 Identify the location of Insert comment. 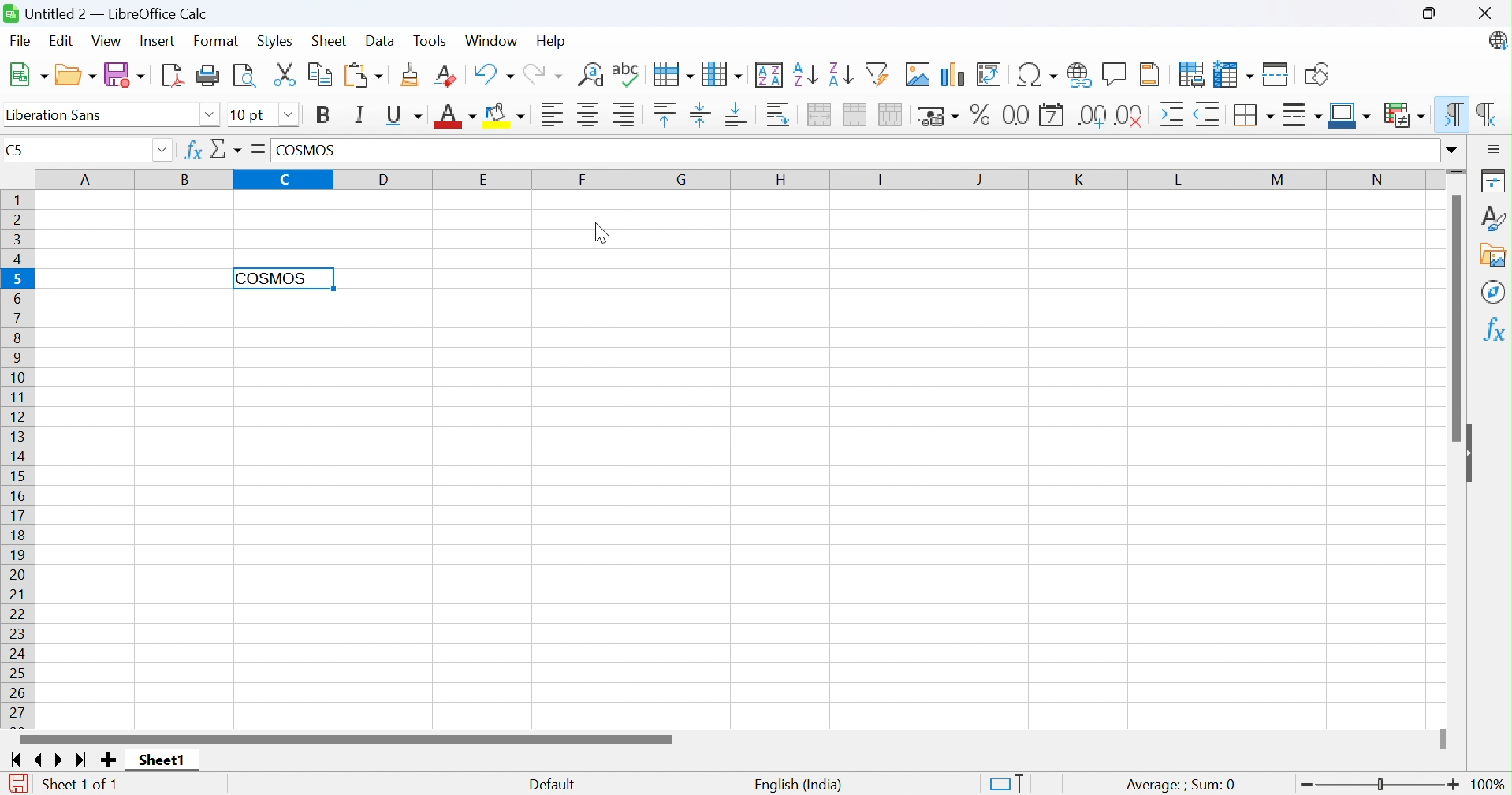
(1115, 73).